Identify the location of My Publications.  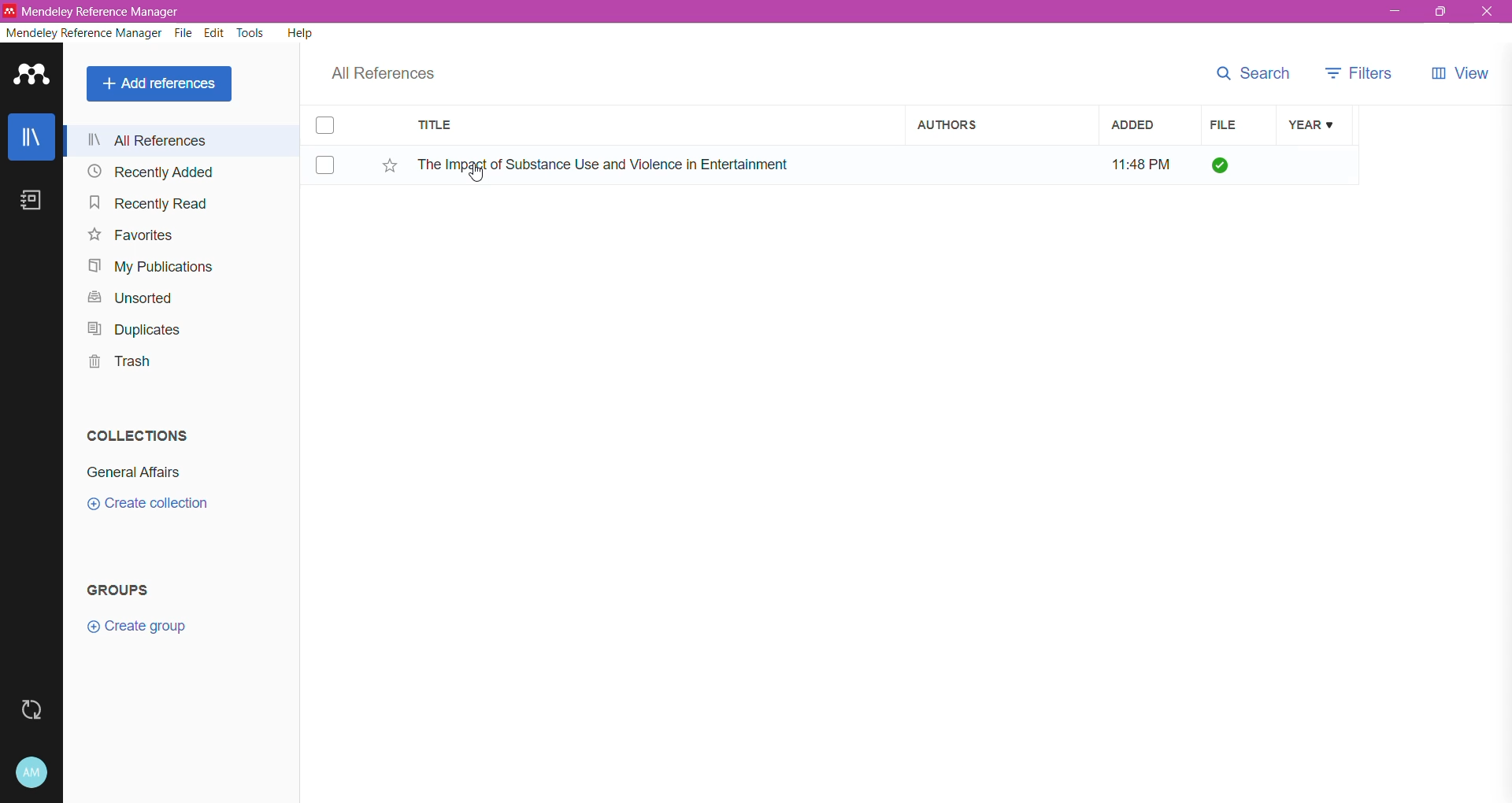
(147, 267).